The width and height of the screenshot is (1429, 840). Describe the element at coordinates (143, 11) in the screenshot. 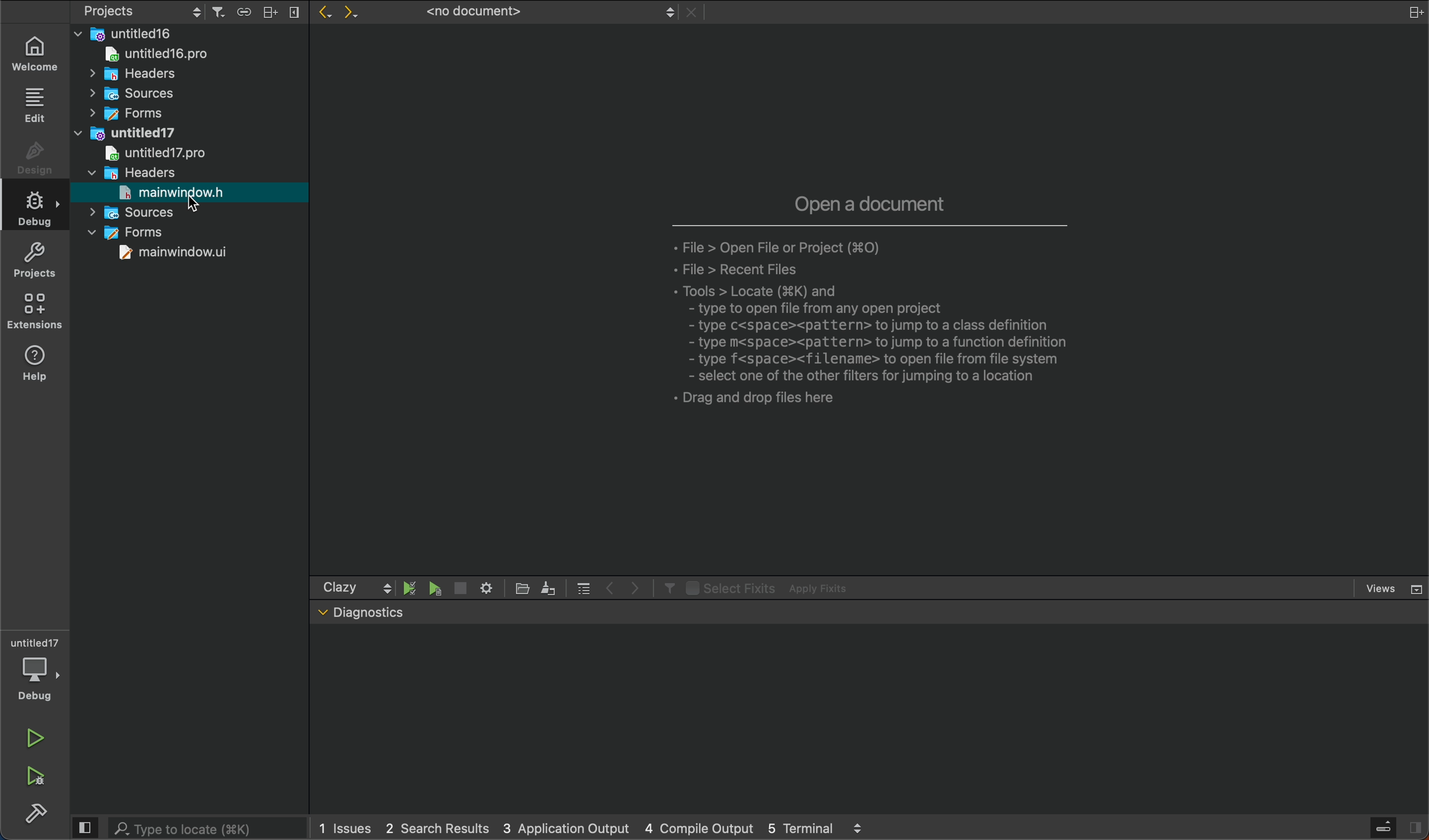

I see `project settings` at that location.